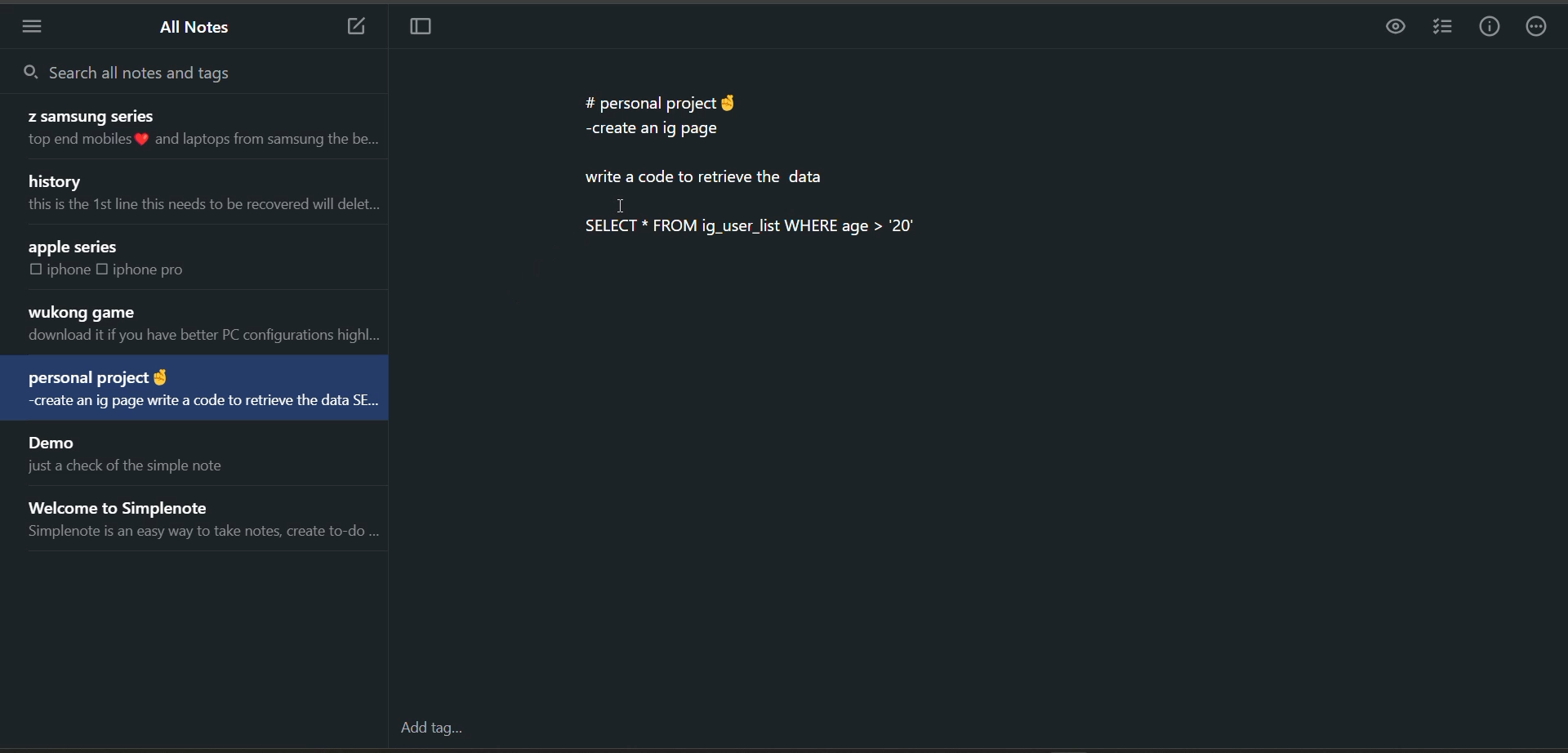 This screenshot has height=753, width=1568. I want to click on add new note, so click(348, 28).